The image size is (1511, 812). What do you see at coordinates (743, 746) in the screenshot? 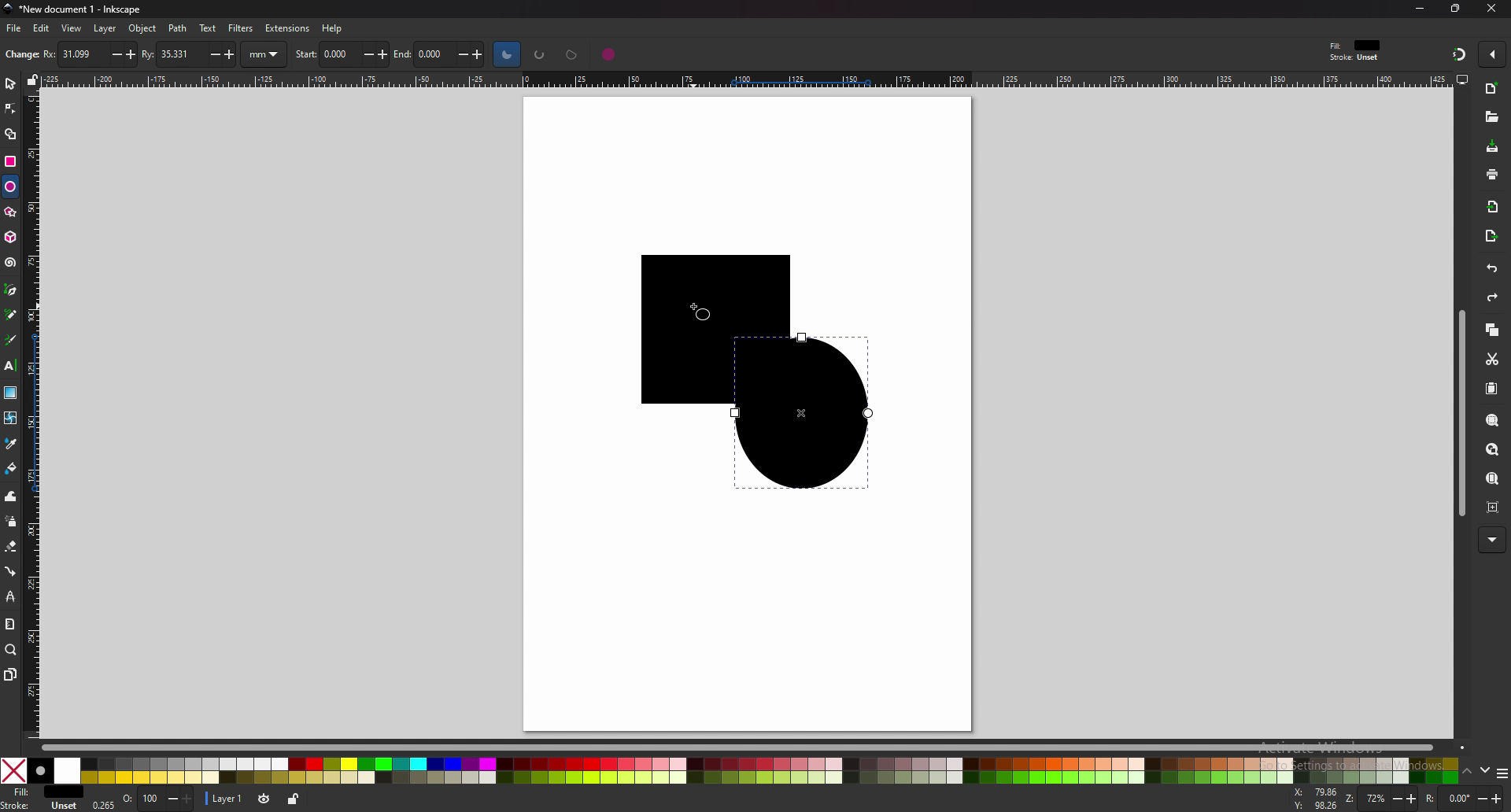
I see `scroll bar` at bounding box center [743, 746].